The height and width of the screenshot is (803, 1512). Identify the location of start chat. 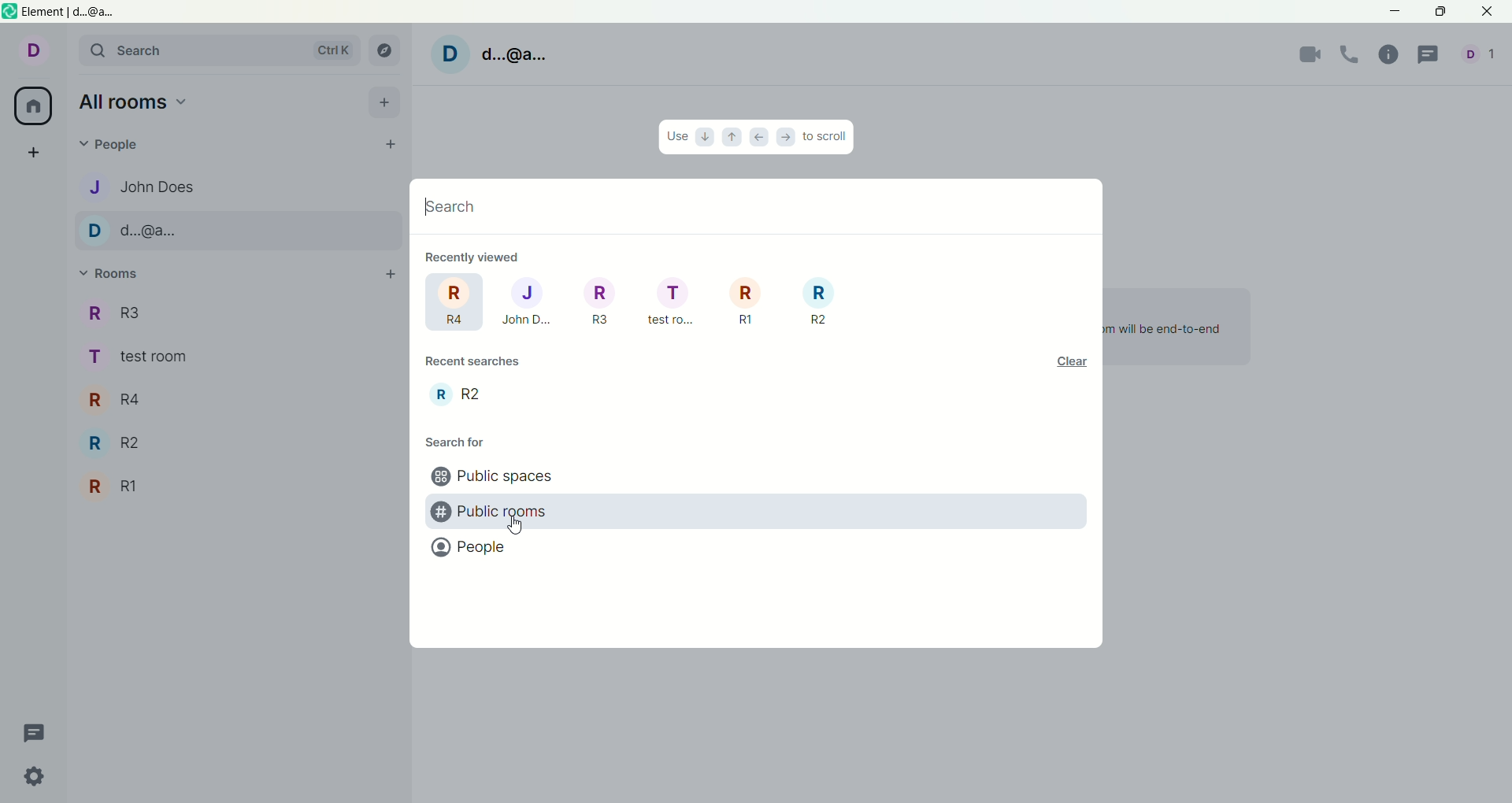
(388, 142).